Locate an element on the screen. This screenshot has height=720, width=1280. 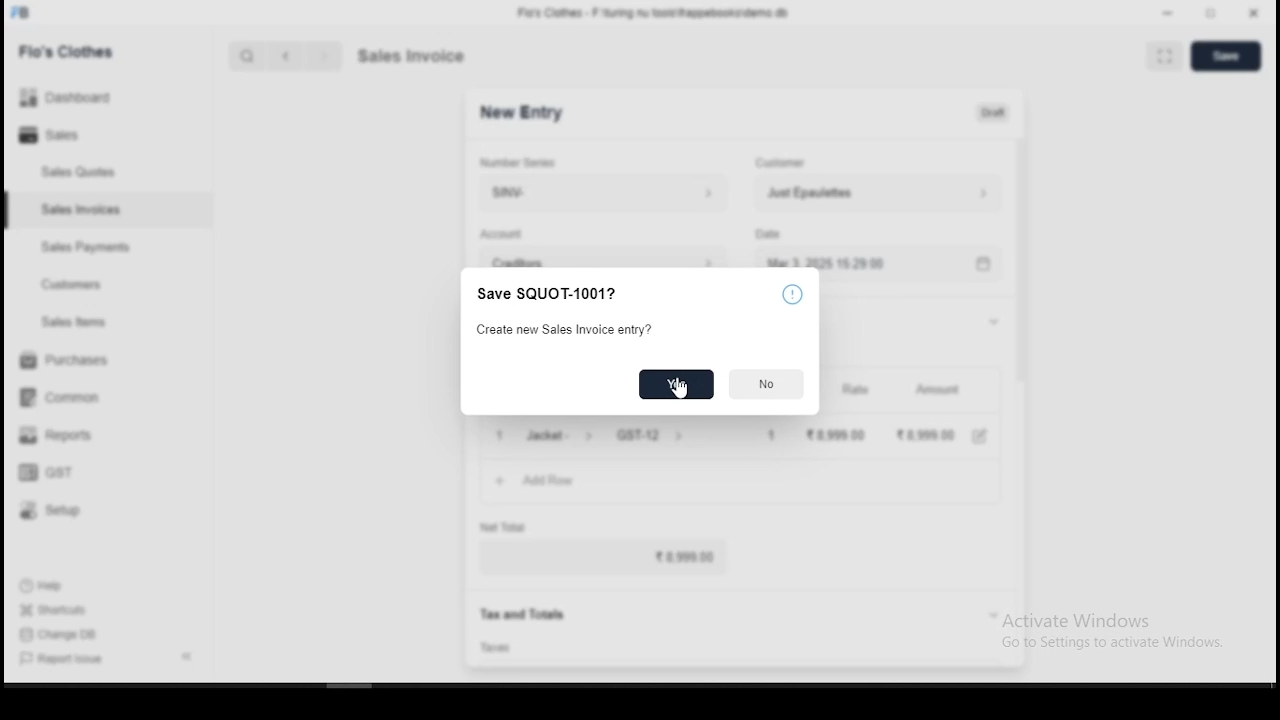
Create new Sales Invoice entry? is located at coordinates (571, 331).